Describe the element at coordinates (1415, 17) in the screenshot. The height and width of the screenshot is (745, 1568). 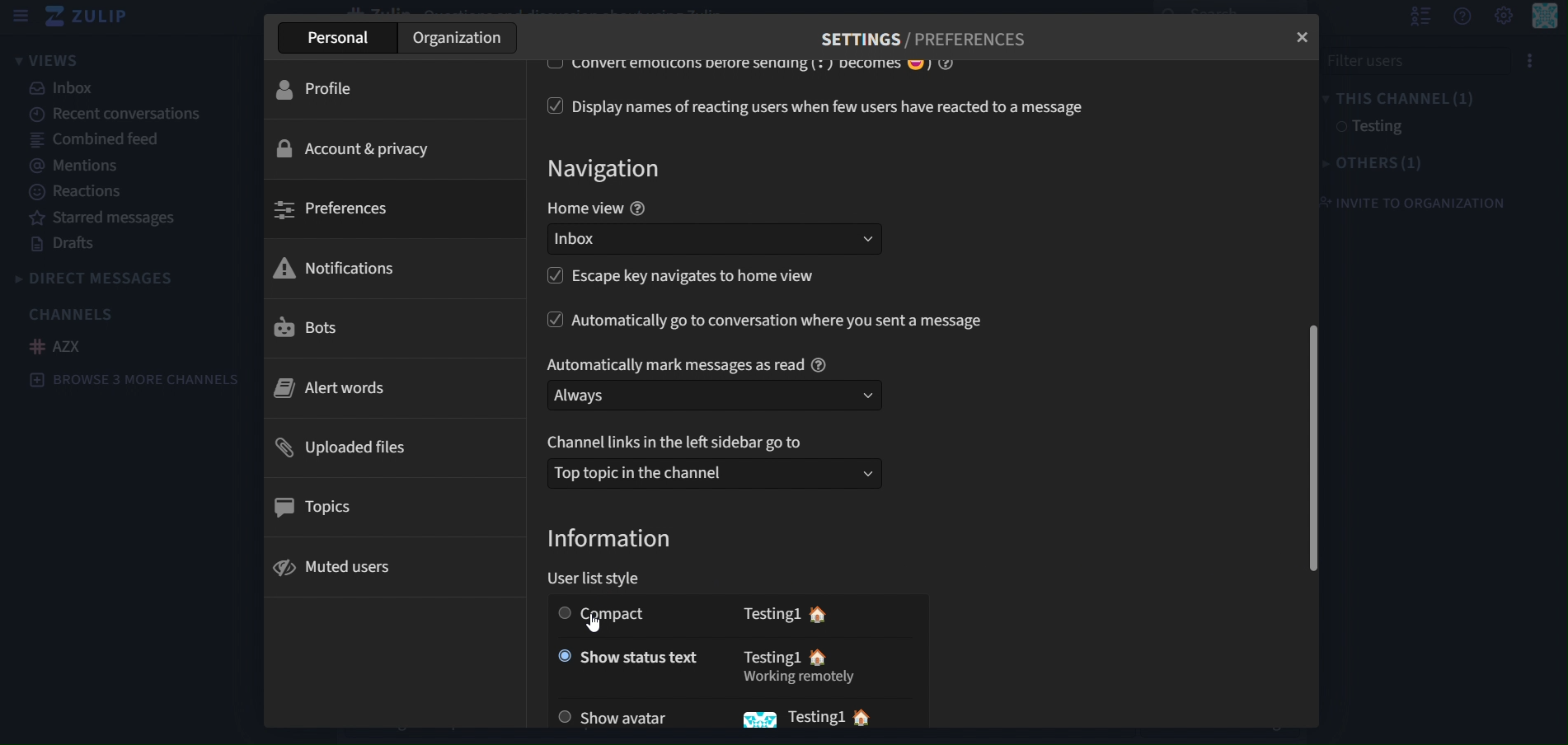
I see `hide user list` at that location.